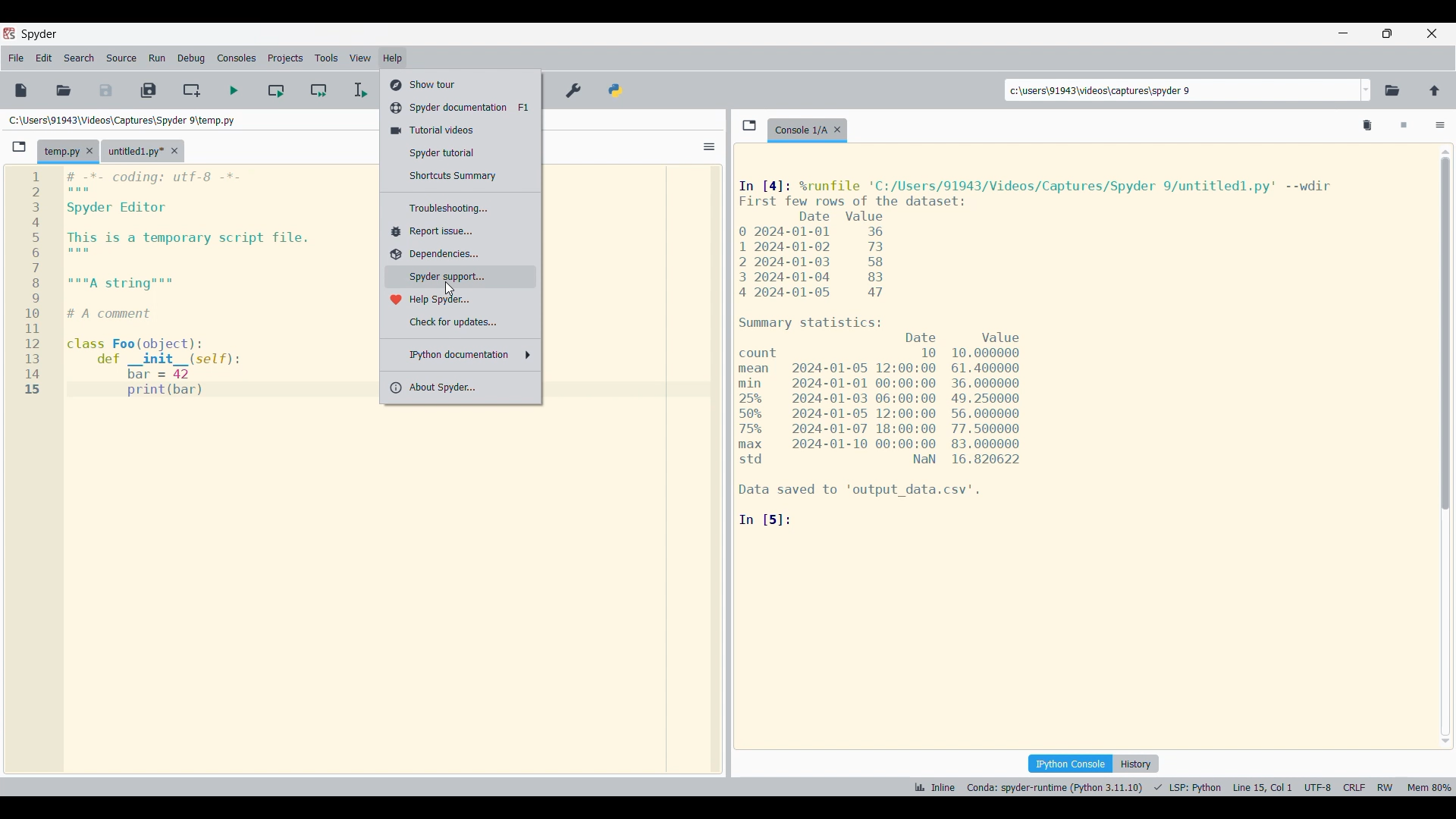 The image size is (1456, 819). What do you see at coordinates (105, 90) in the screenshot?
I see `Save file` at bounding box center [105, 90].